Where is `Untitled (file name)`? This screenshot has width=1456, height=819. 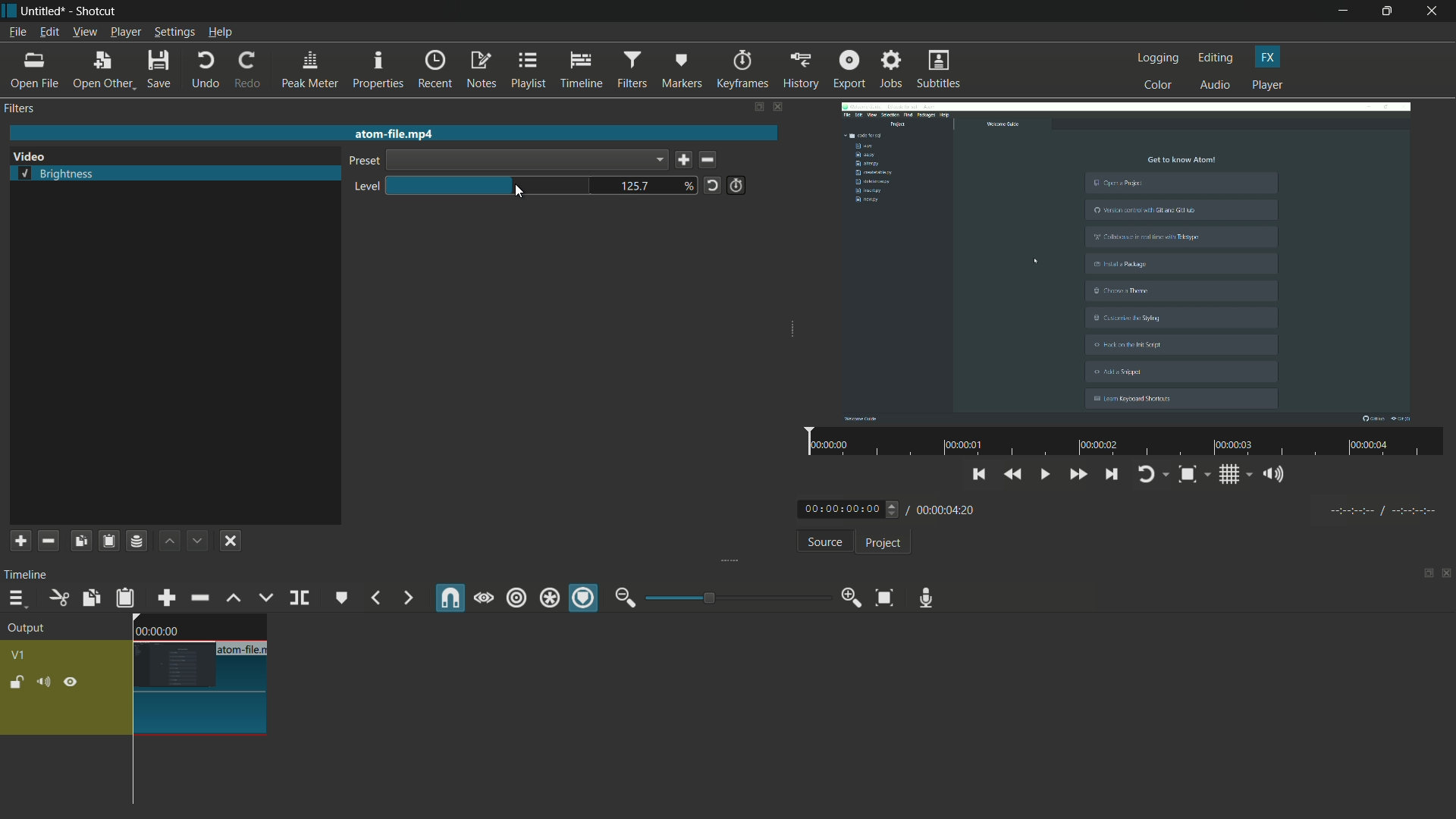 Untitled (file name) is located at coordinates (46, 11).